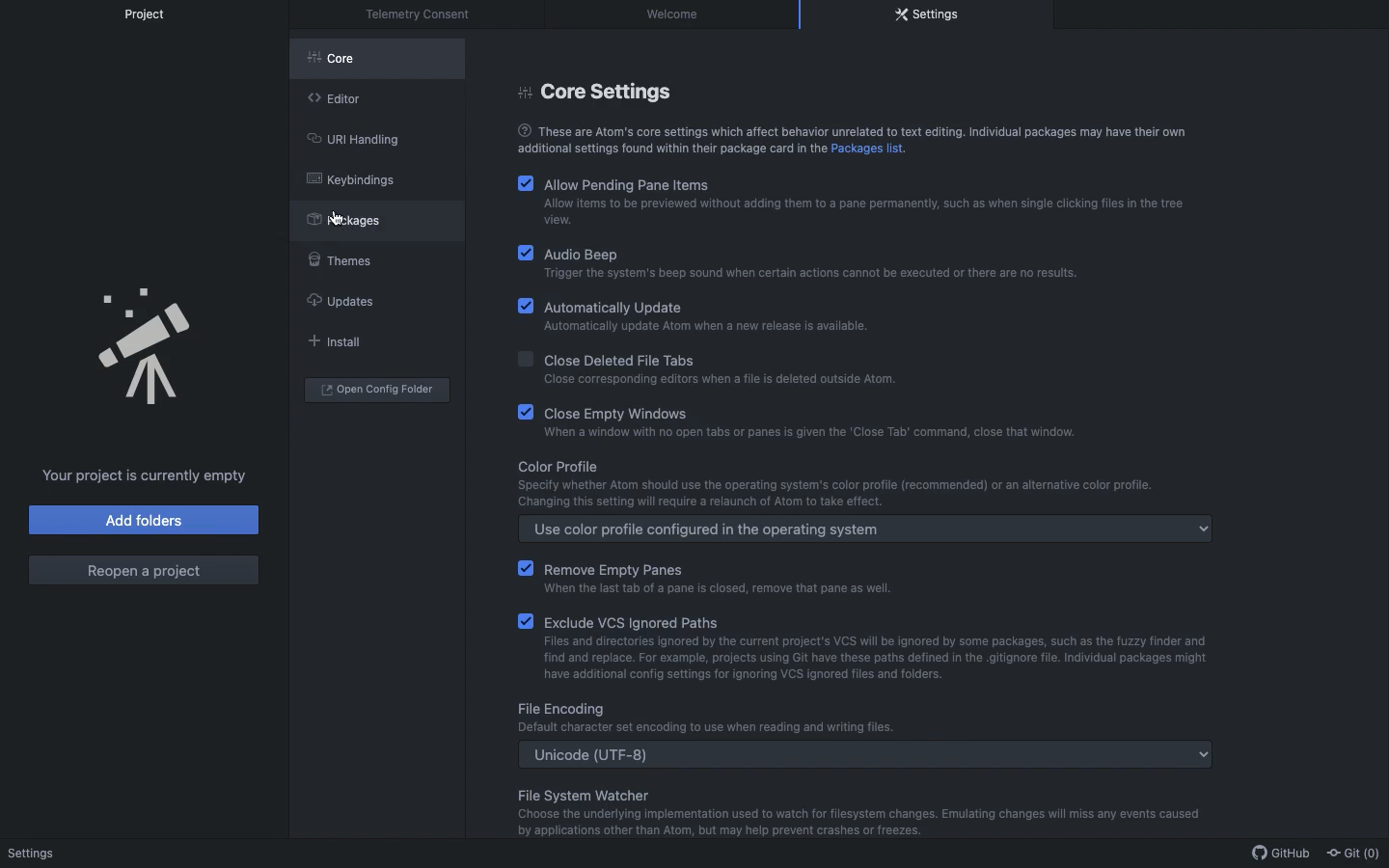  Describe the element at coordinates (146, 475) in the screenshot. I see `Your project is currently empty` at that location.